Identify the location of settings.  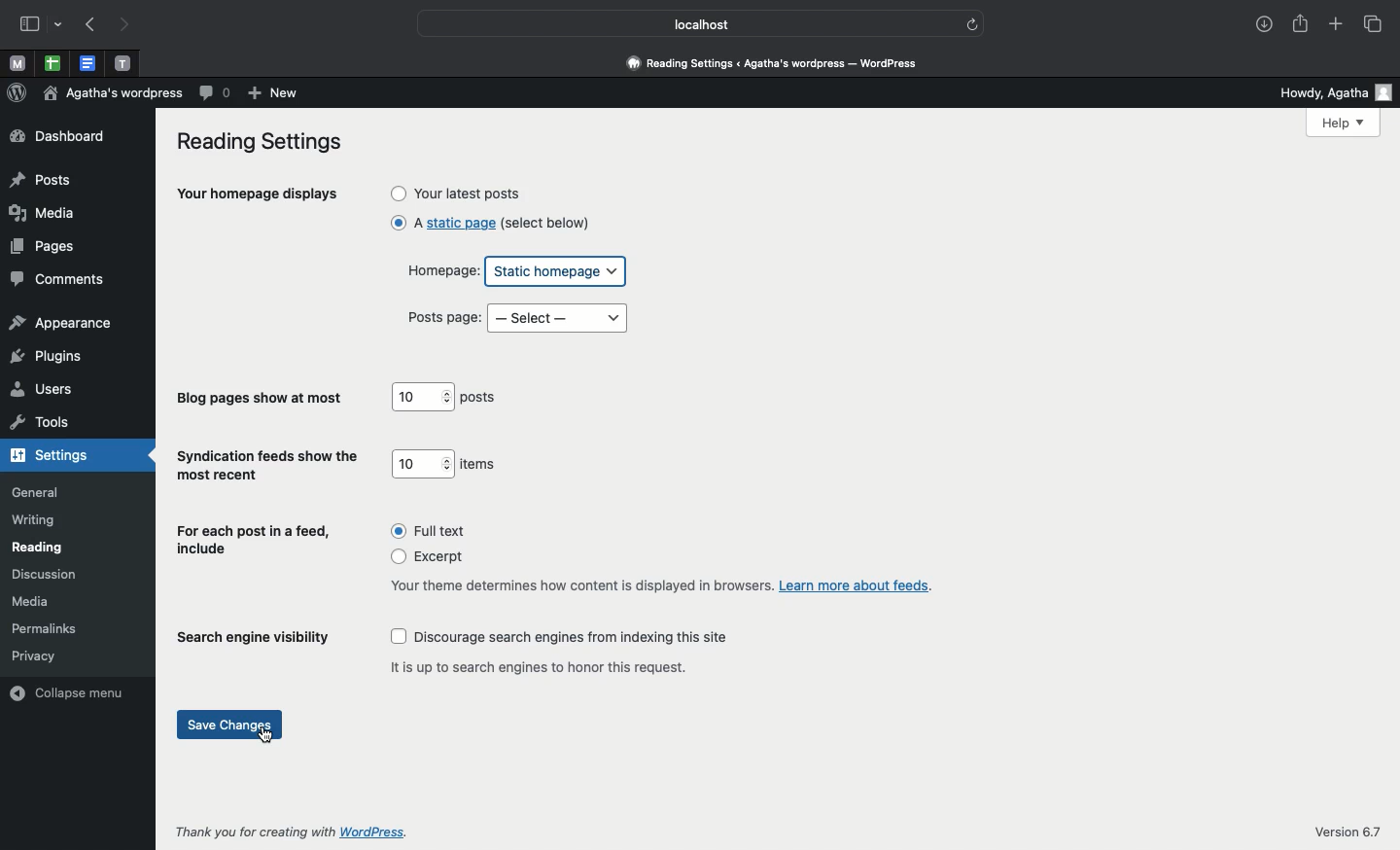
(55, 456).